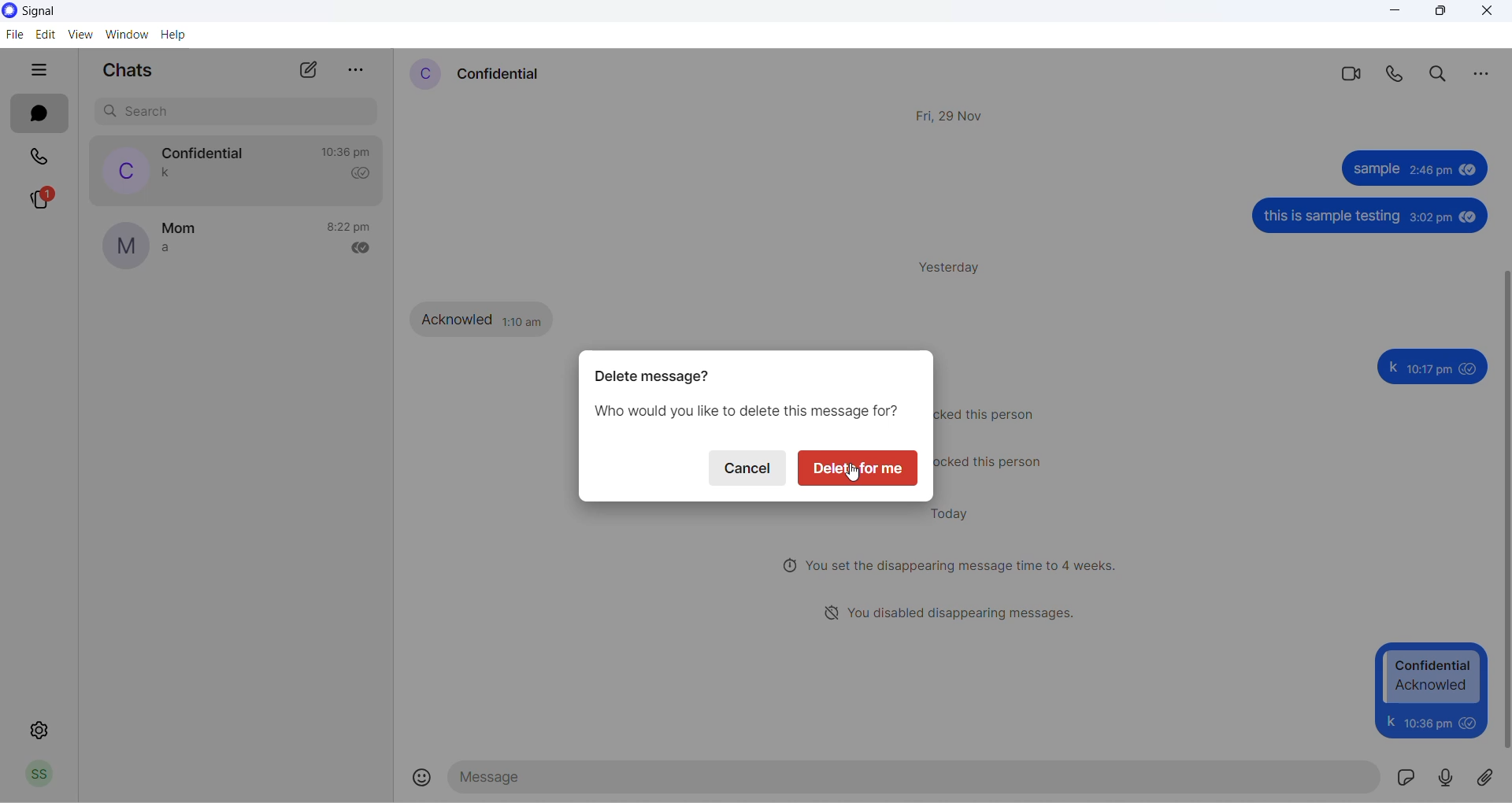 The height and width of the screenshot is (803, 1512). Describe the element at coordinates (349, 152) in the screenshot. I see `last message time` at that location.